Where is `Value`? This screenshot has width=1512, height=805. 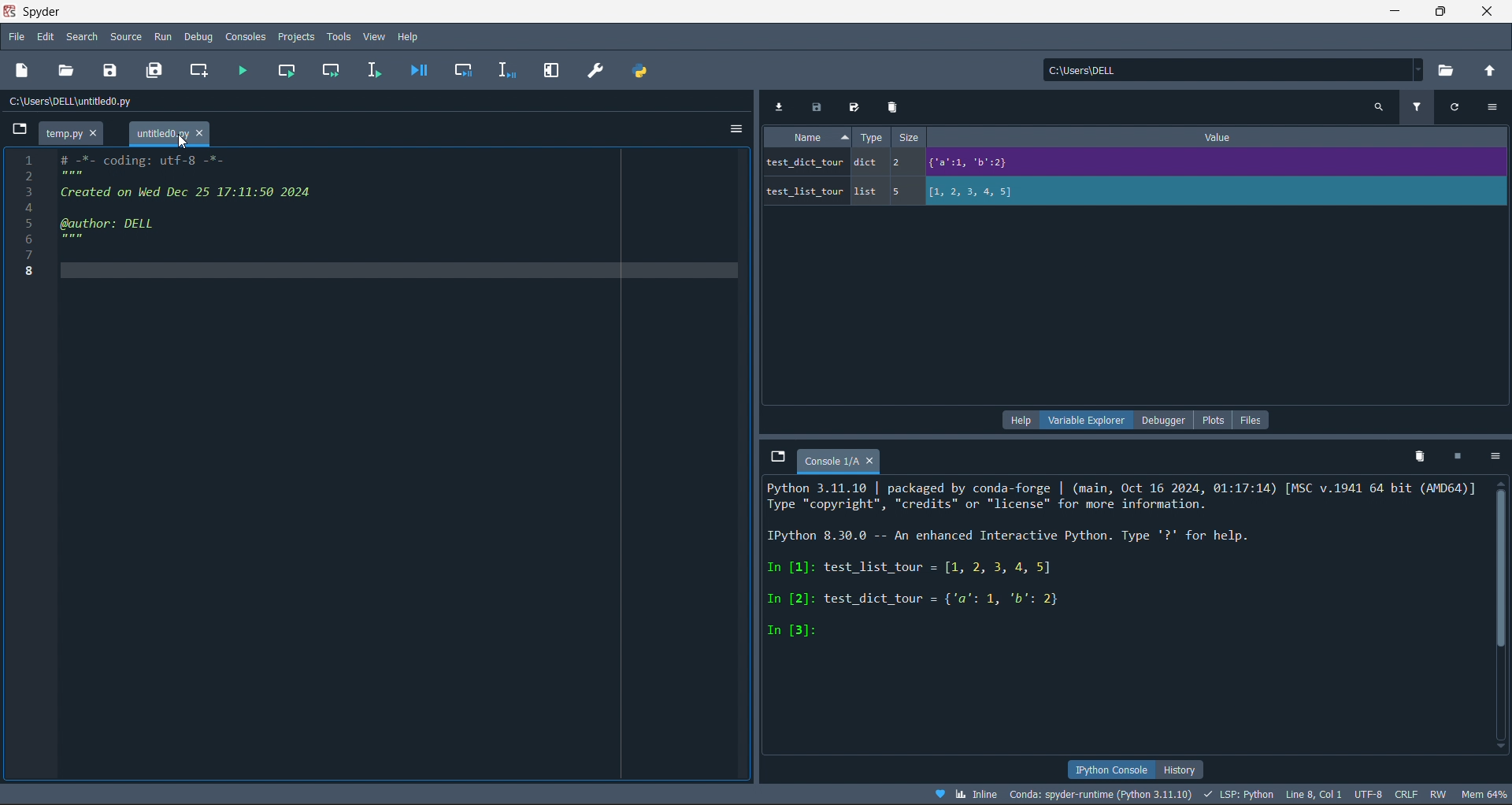 Value is located at coordinates (1220, 139).